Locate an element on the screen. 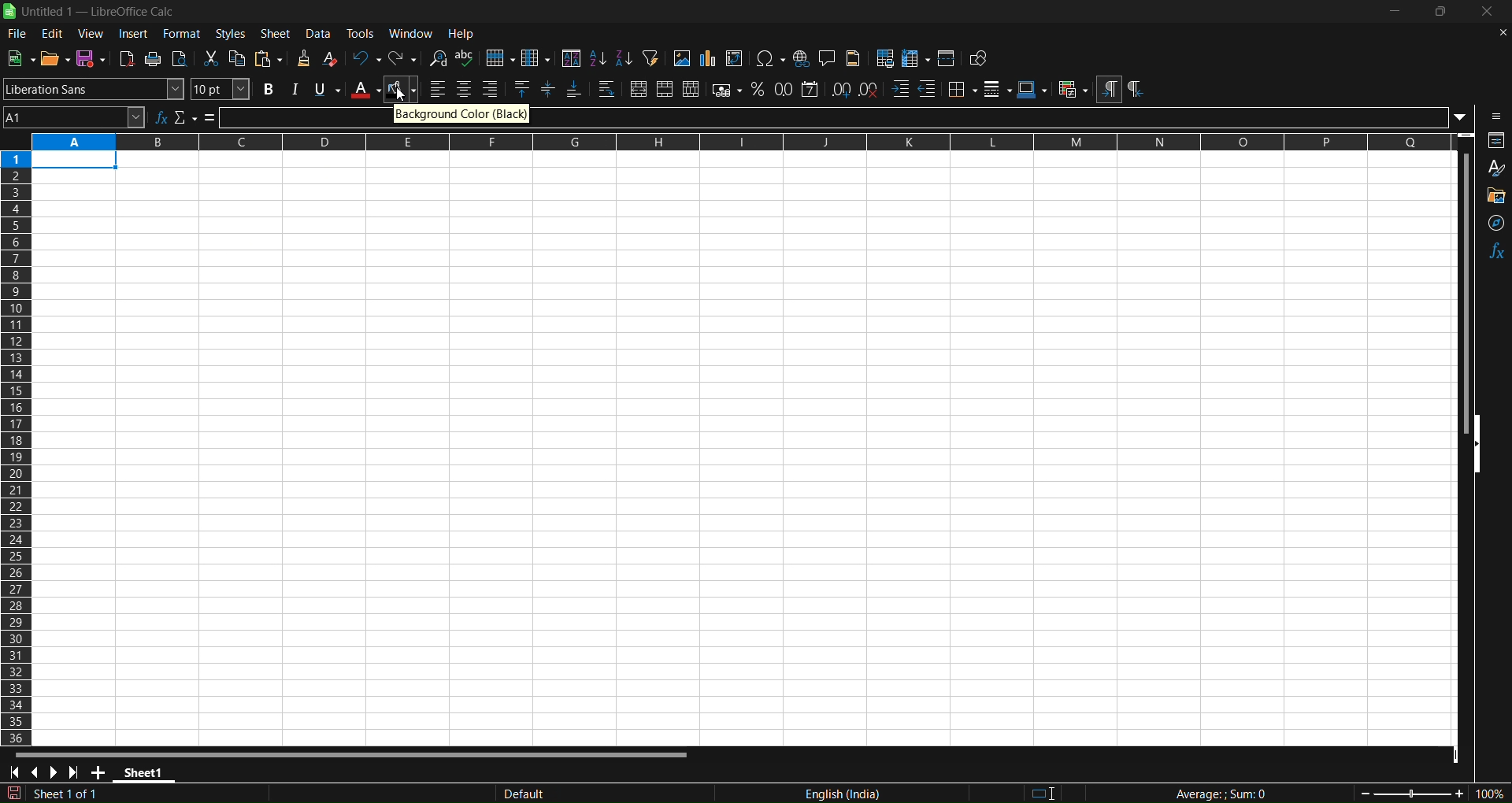 This screenshot has height=803, width=1512. Background color black is located at coordinates (462, 114).